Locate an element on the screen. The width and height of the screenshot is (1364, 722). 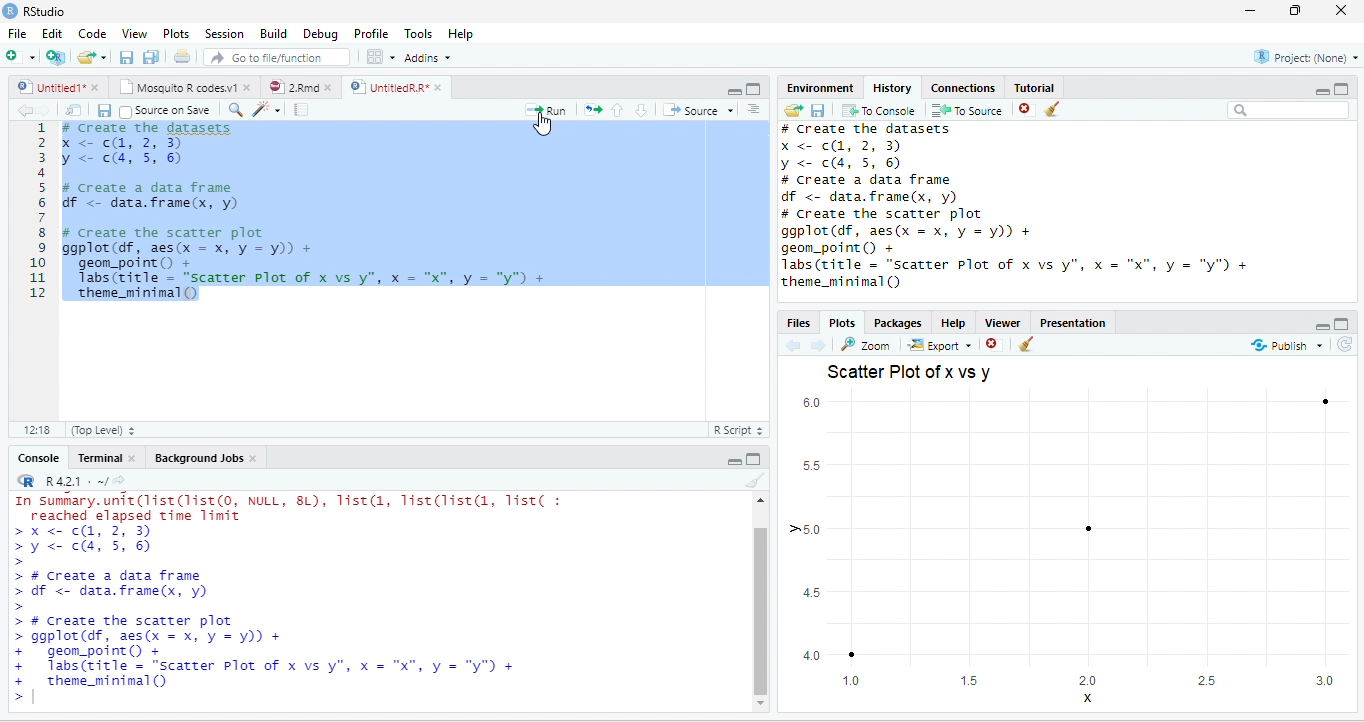
R 4.2.1 . ~/ is located at coordinates (75, 481).